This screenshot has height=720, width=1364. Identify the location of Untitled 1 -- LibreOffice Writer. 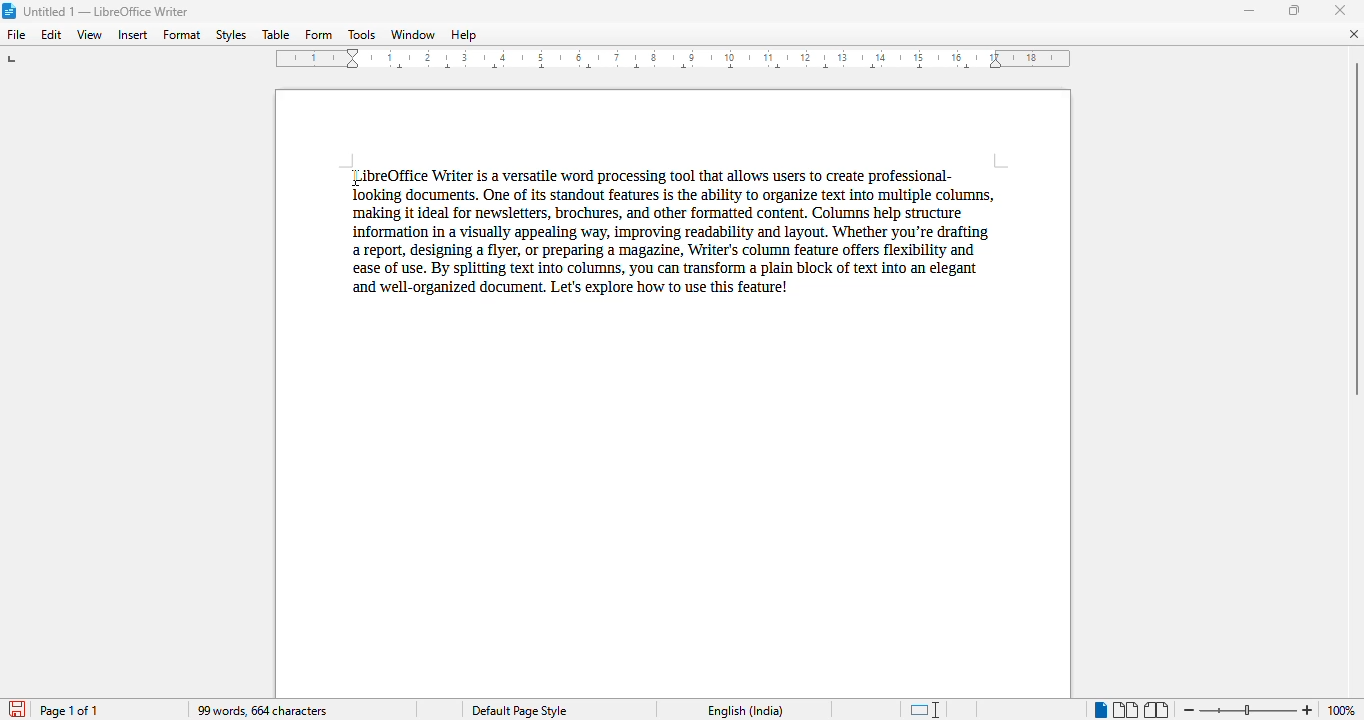
(107, 12).